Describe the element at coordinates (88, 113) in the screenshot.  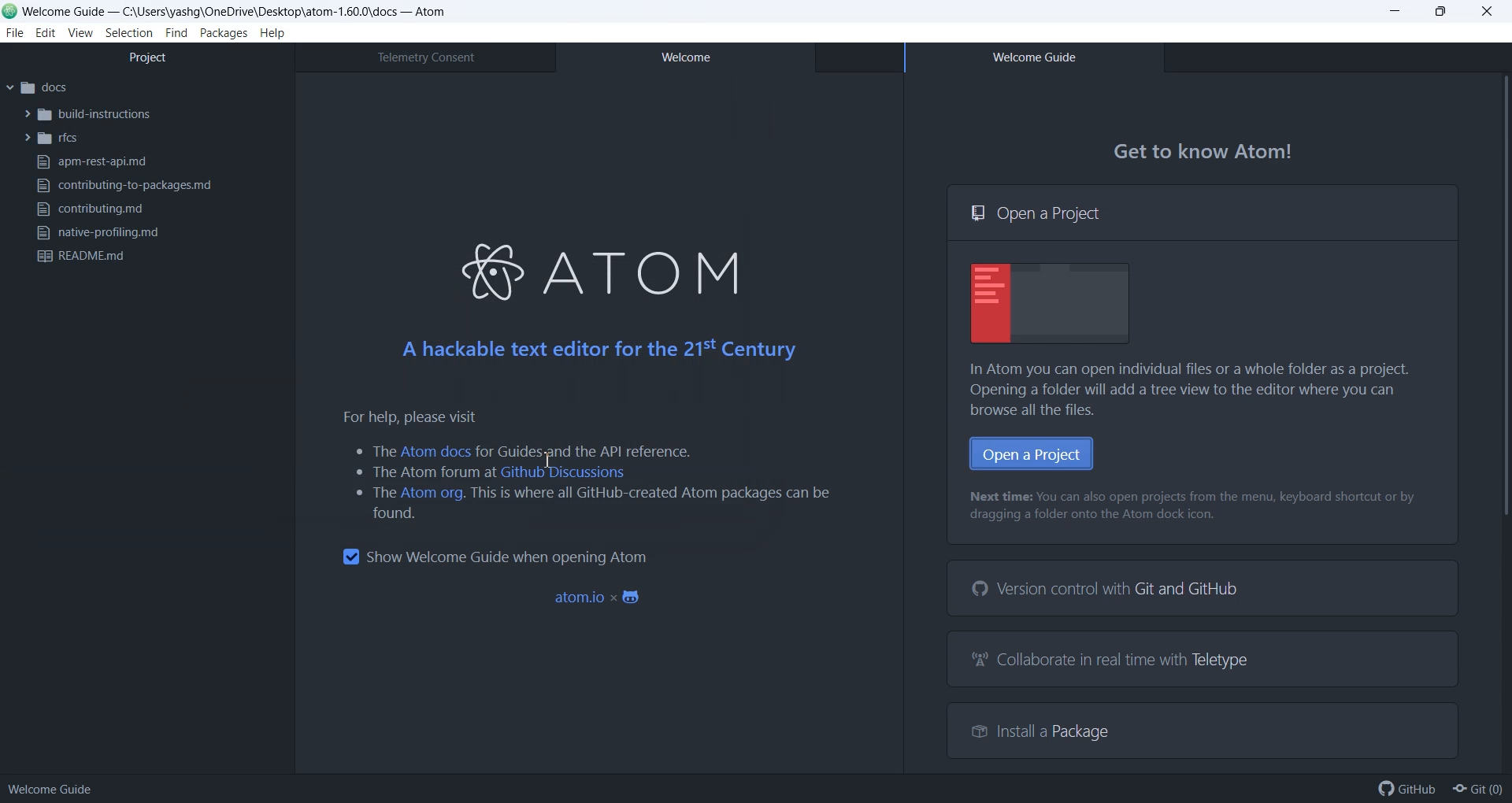
I see `build-instructions` at that location.